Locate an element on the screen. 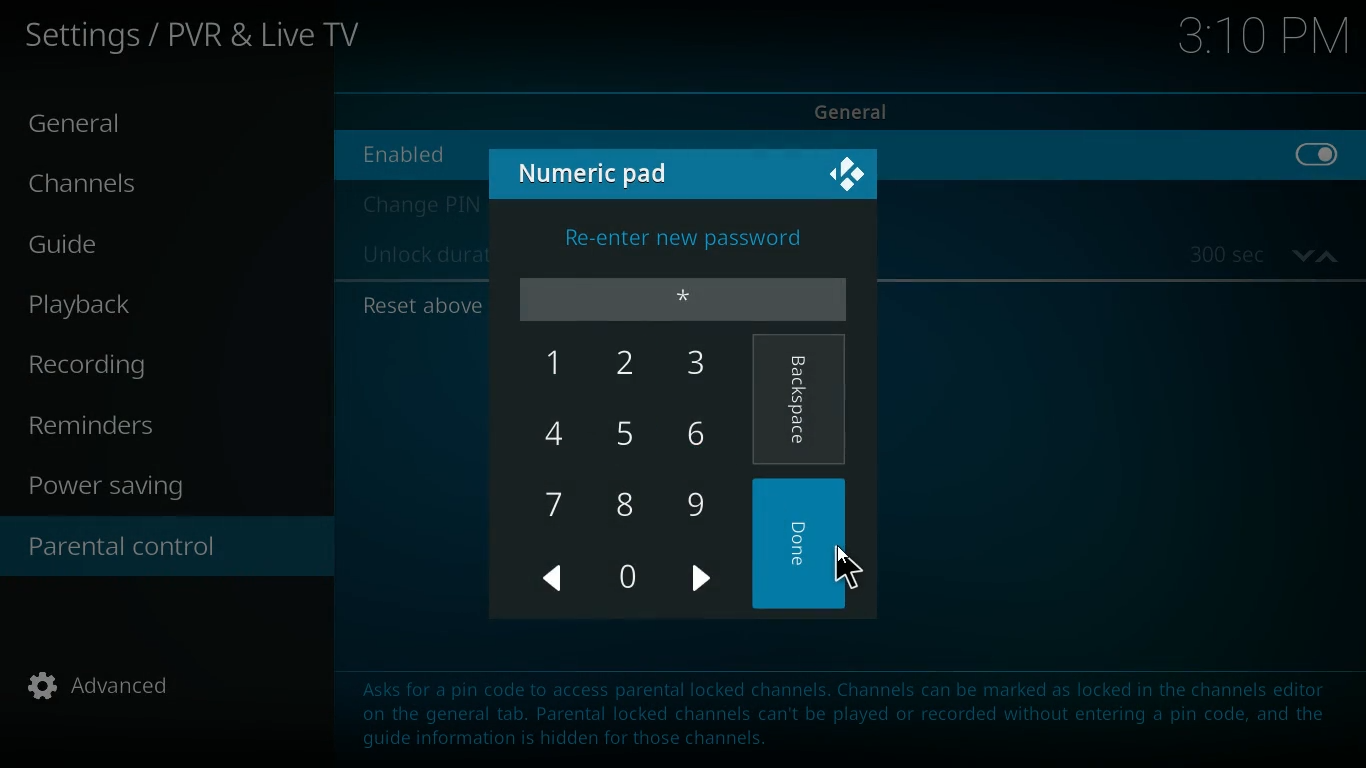 The height and width of the screenshot is (768, 1366). enabled is located at coordinates (418, 153).